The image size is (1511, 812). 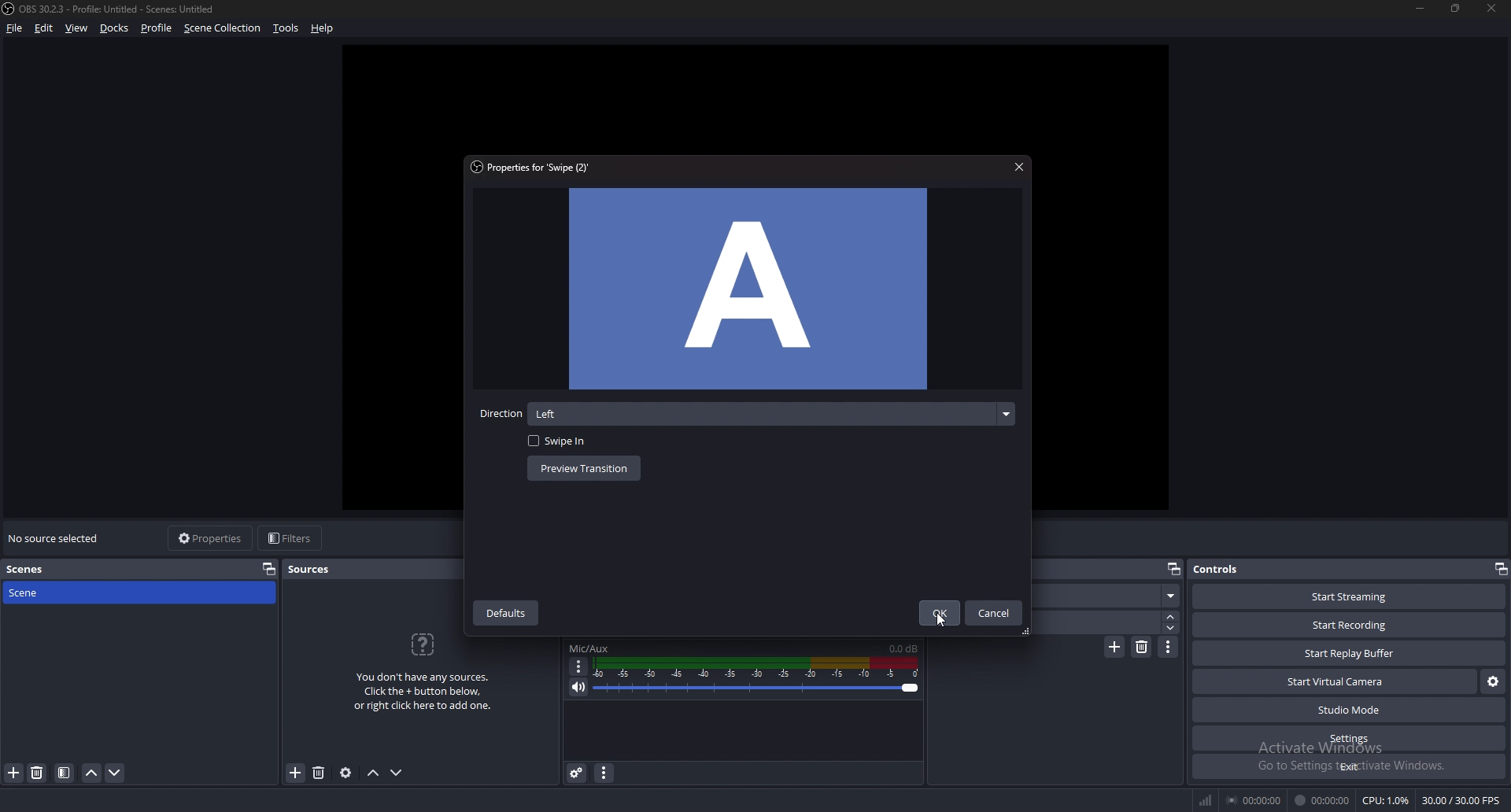 What do you see at coordinates (1500, 570) in the screenshot?
I see `pop out` at bounding box center [1500, 570].